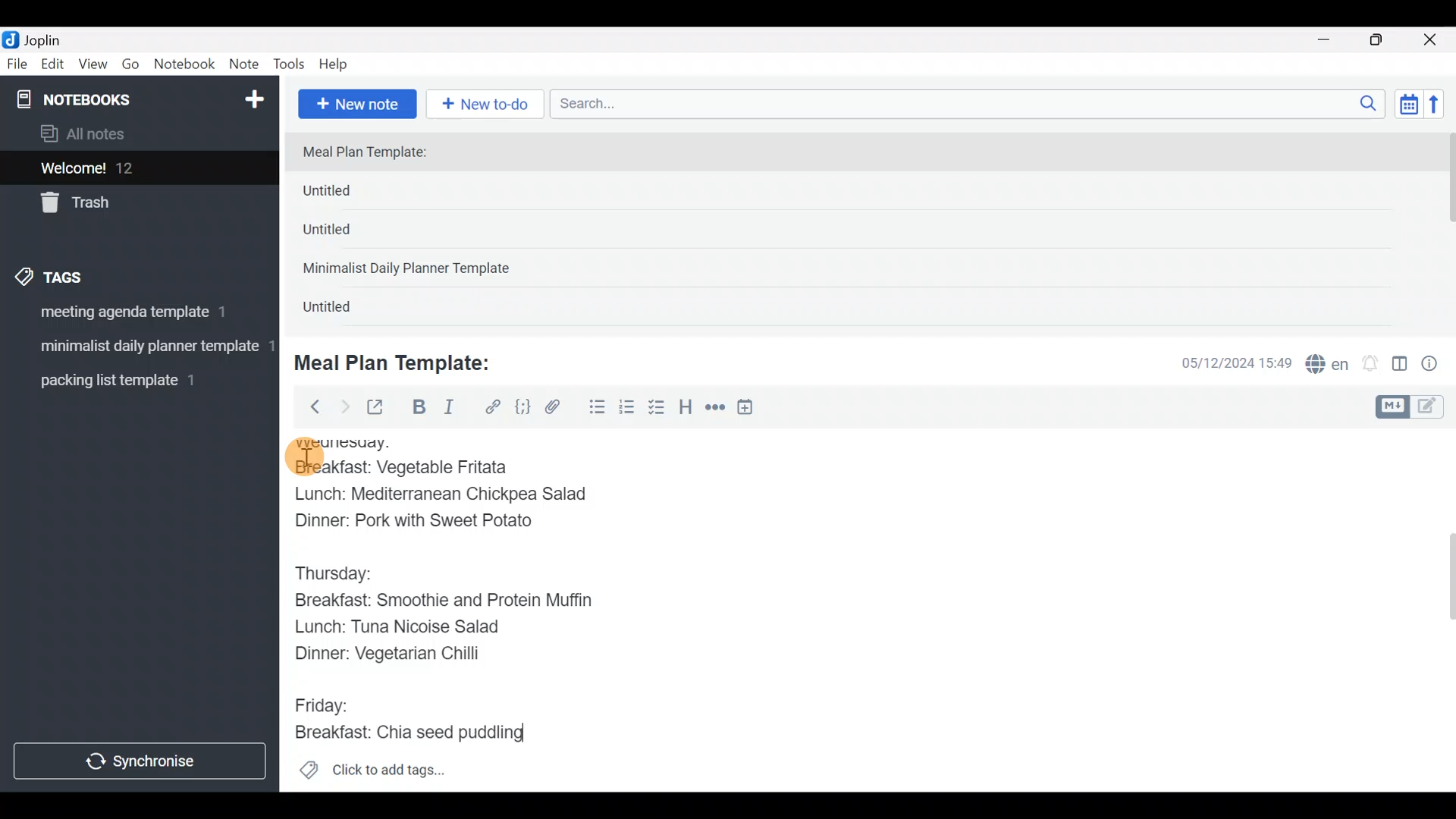 The width and height of the screenshot is (1456, 819). What do you see at coordinates (1371, 365) in the screenshot?
I see `Set alarm` at bounding box center [1371, 365].